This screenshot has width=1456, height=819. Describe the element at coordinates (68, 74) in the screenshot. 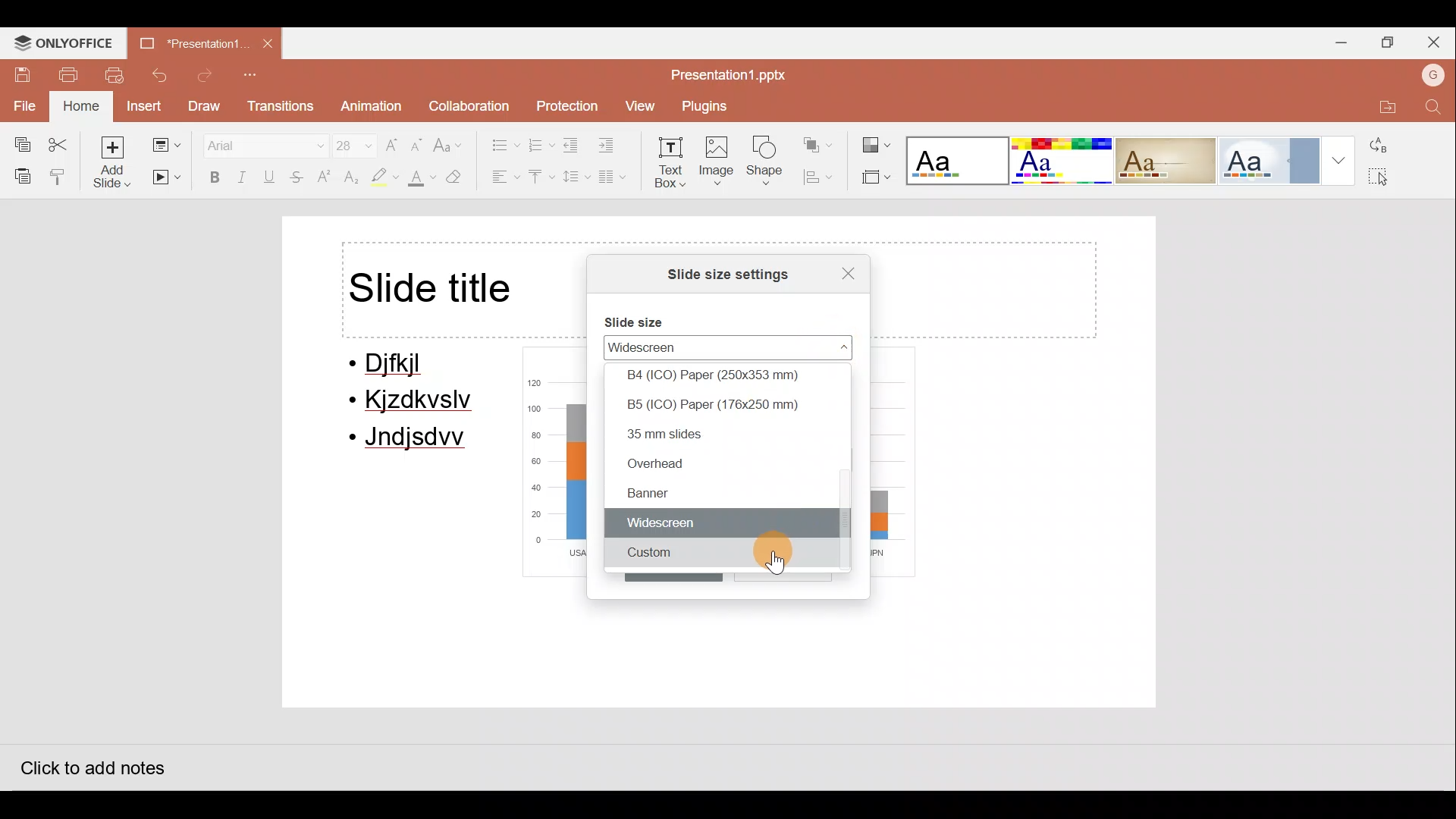

I see `Print file` at that location.